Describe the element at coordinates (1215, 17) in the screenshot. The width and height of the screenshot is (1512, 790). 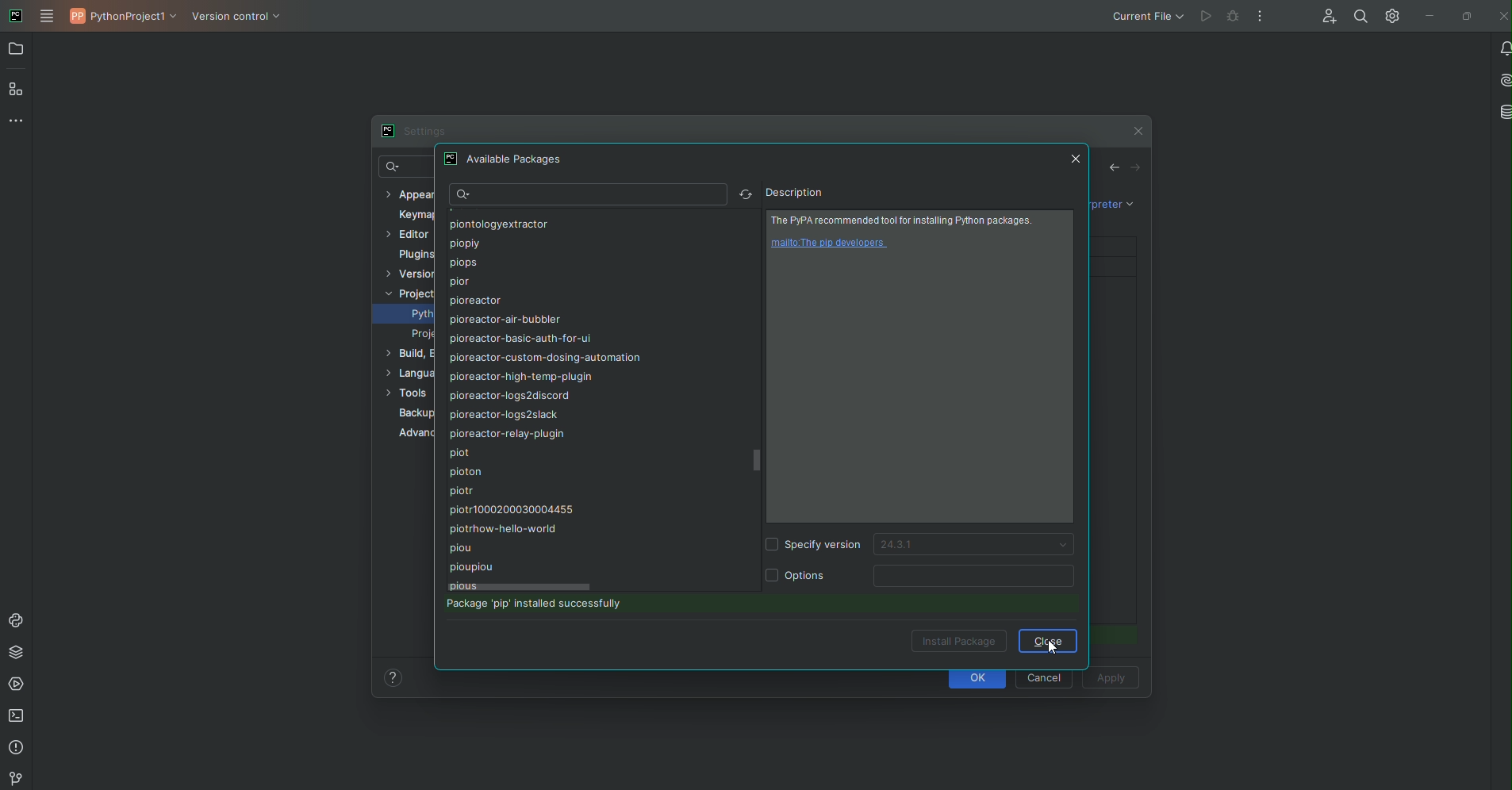
I see `Cannot run file` at that location.